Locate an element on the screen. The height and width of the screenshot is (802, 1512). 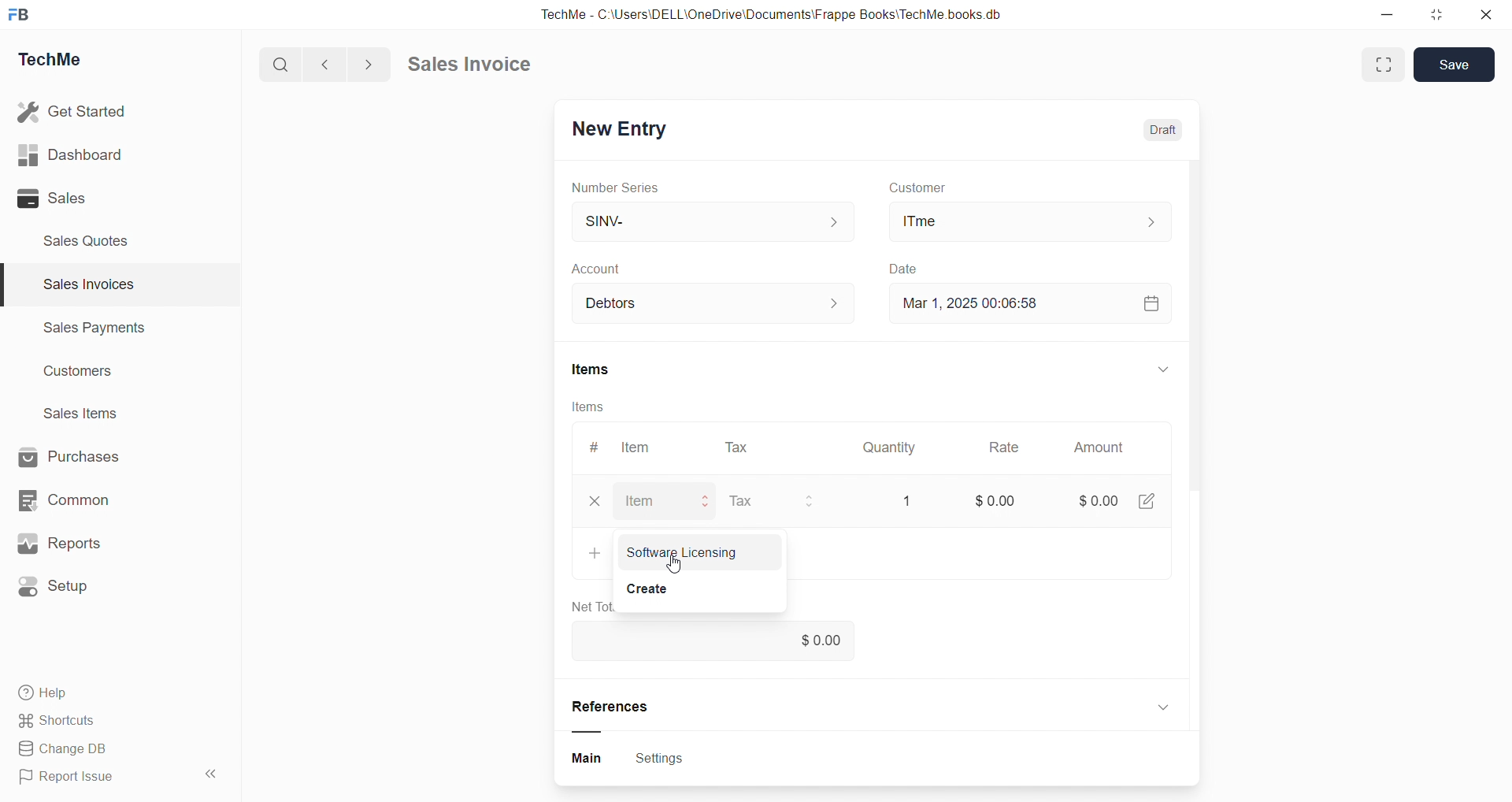
ITme| is located at coordinates (1028, 221).